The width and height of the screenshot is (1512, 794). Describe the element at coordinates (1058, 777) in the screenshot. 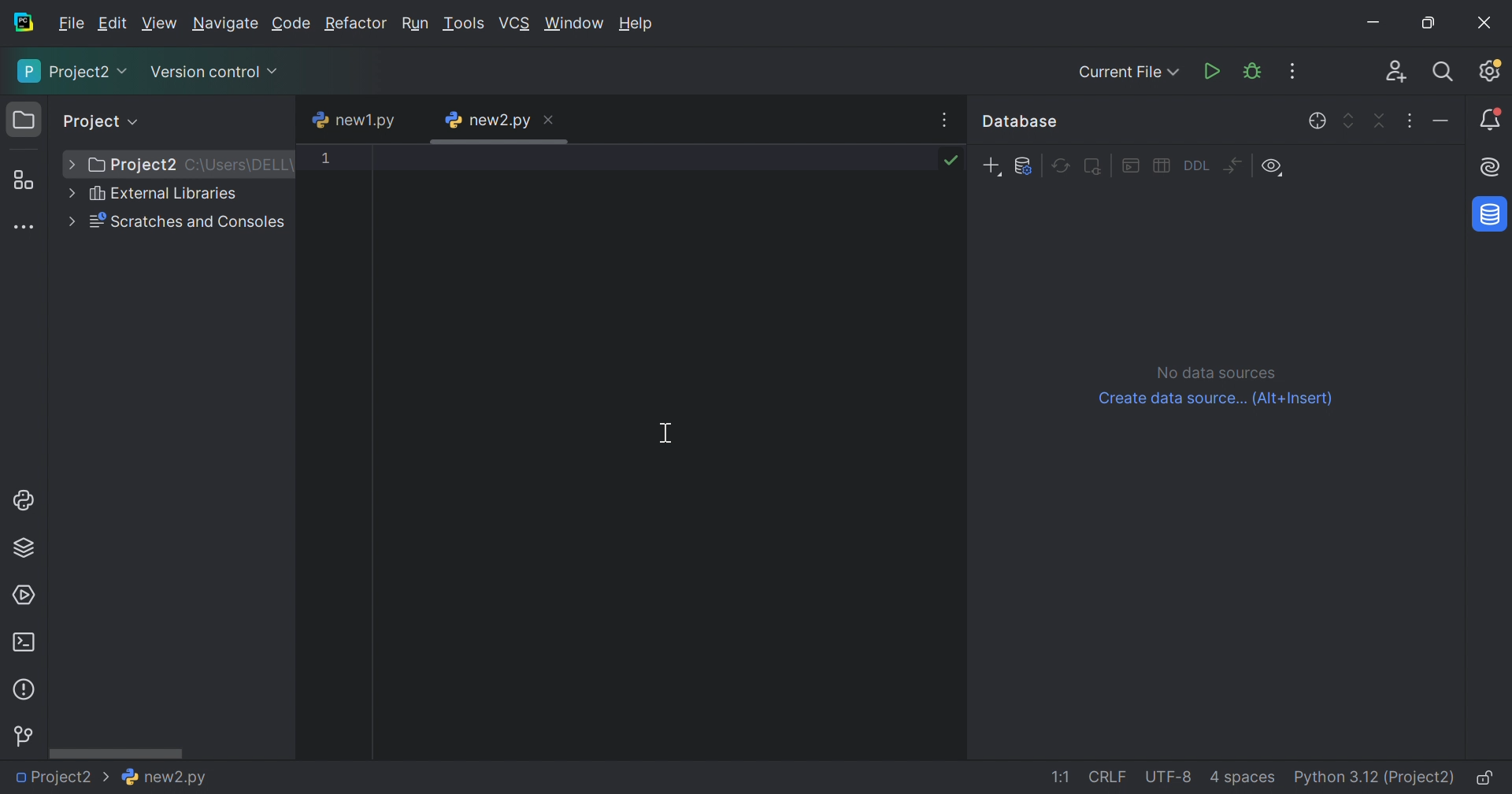

I see `1:1` at that location.